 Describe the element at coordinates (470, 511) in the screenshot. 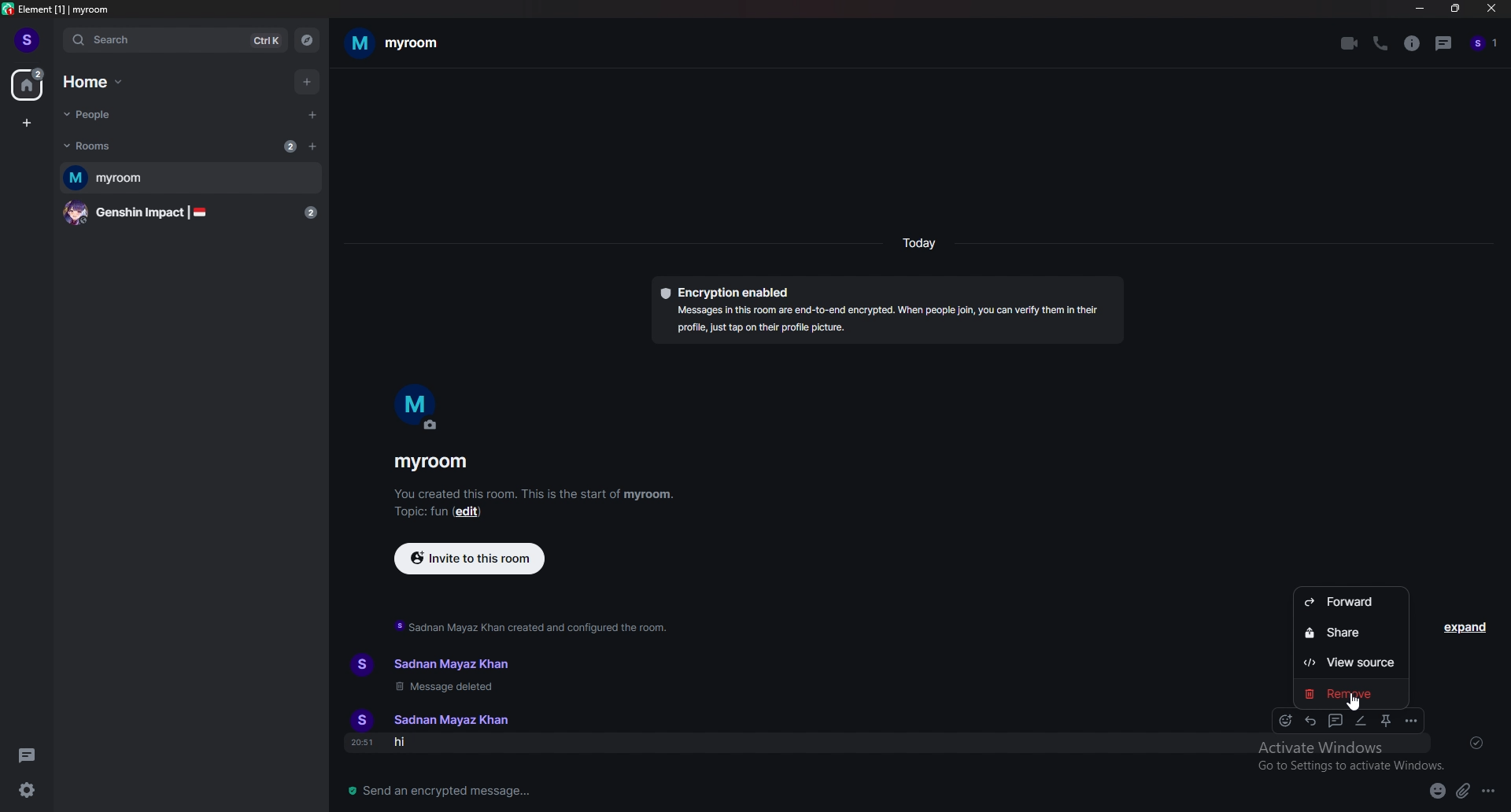

I see `edit` at that location.